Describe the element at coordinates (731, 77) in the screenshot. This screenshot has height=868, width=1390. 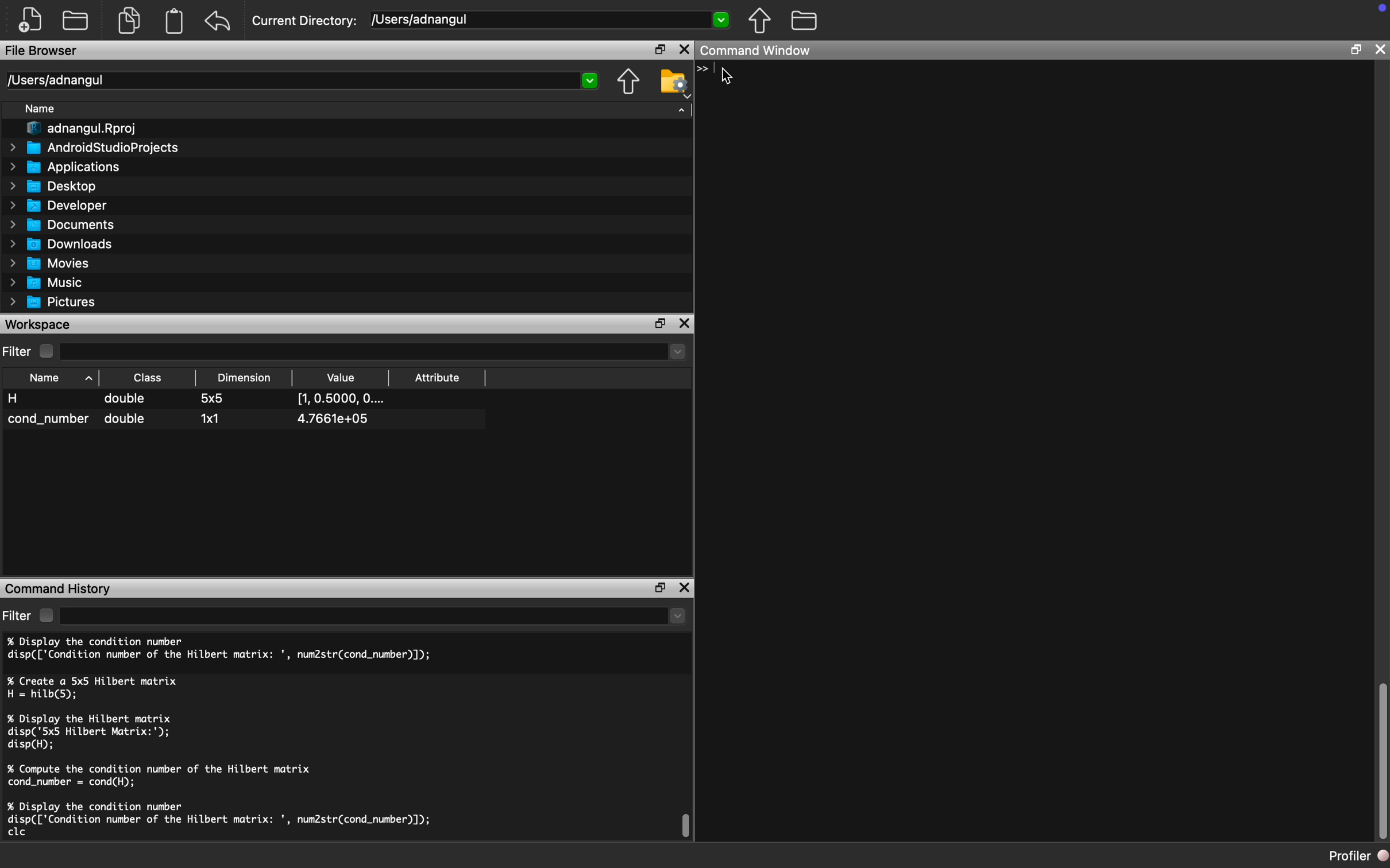
I see `Cursor` at that location.